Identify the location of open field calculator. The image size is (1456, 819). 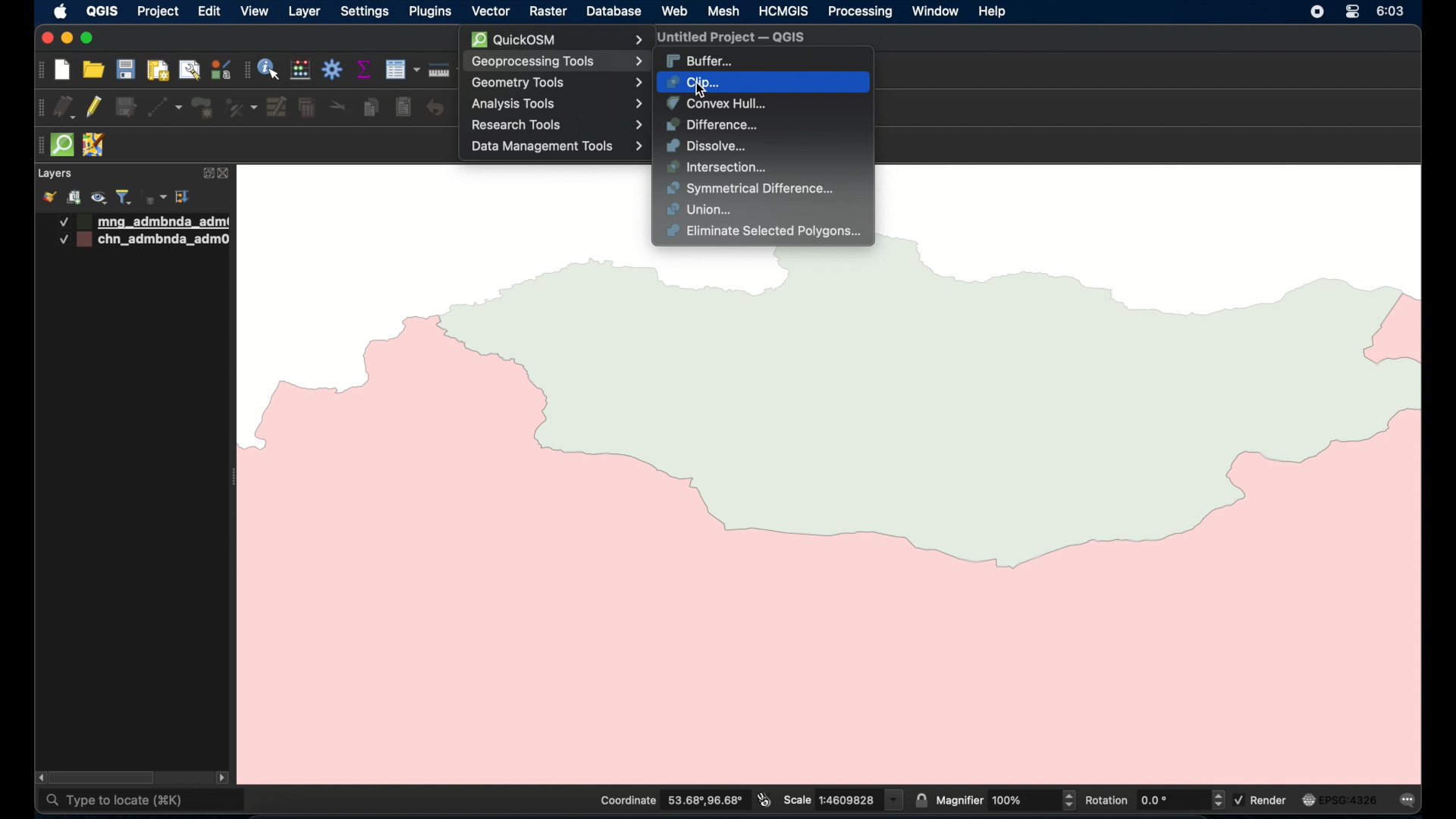
(301, 71).